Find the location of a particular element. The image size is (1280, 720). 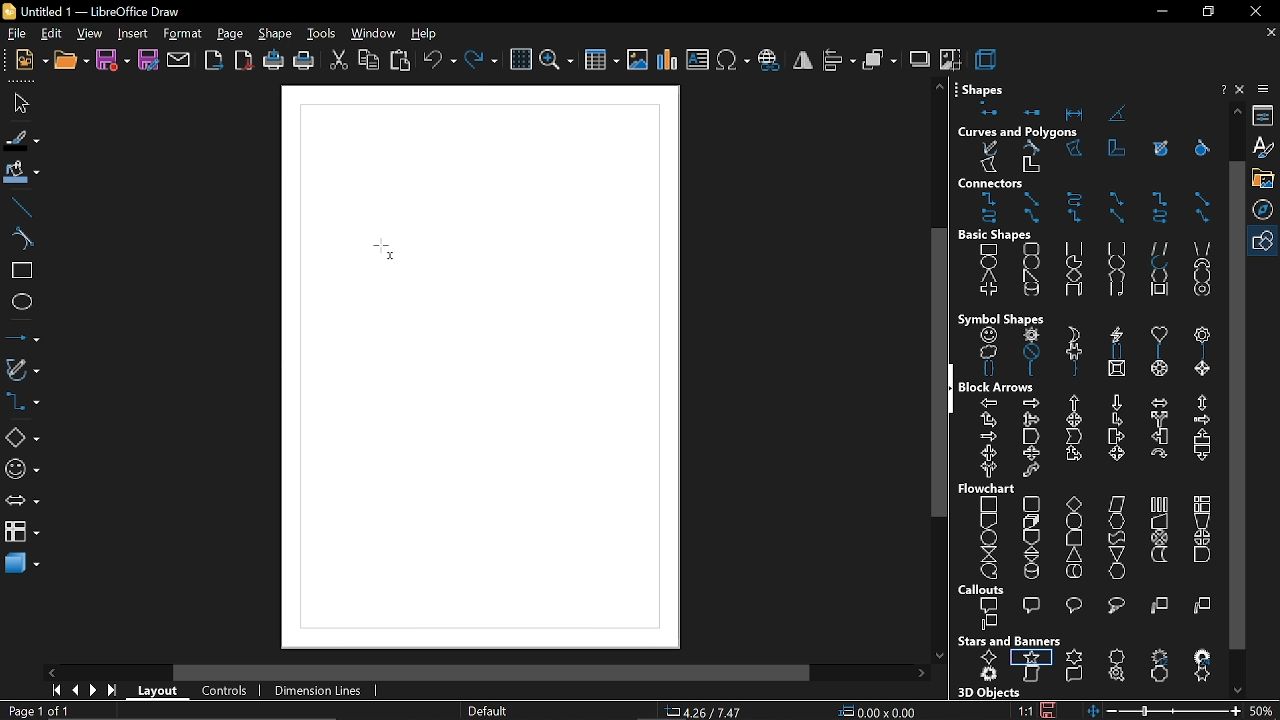

flowchart is located at coordinates (1094, 537).